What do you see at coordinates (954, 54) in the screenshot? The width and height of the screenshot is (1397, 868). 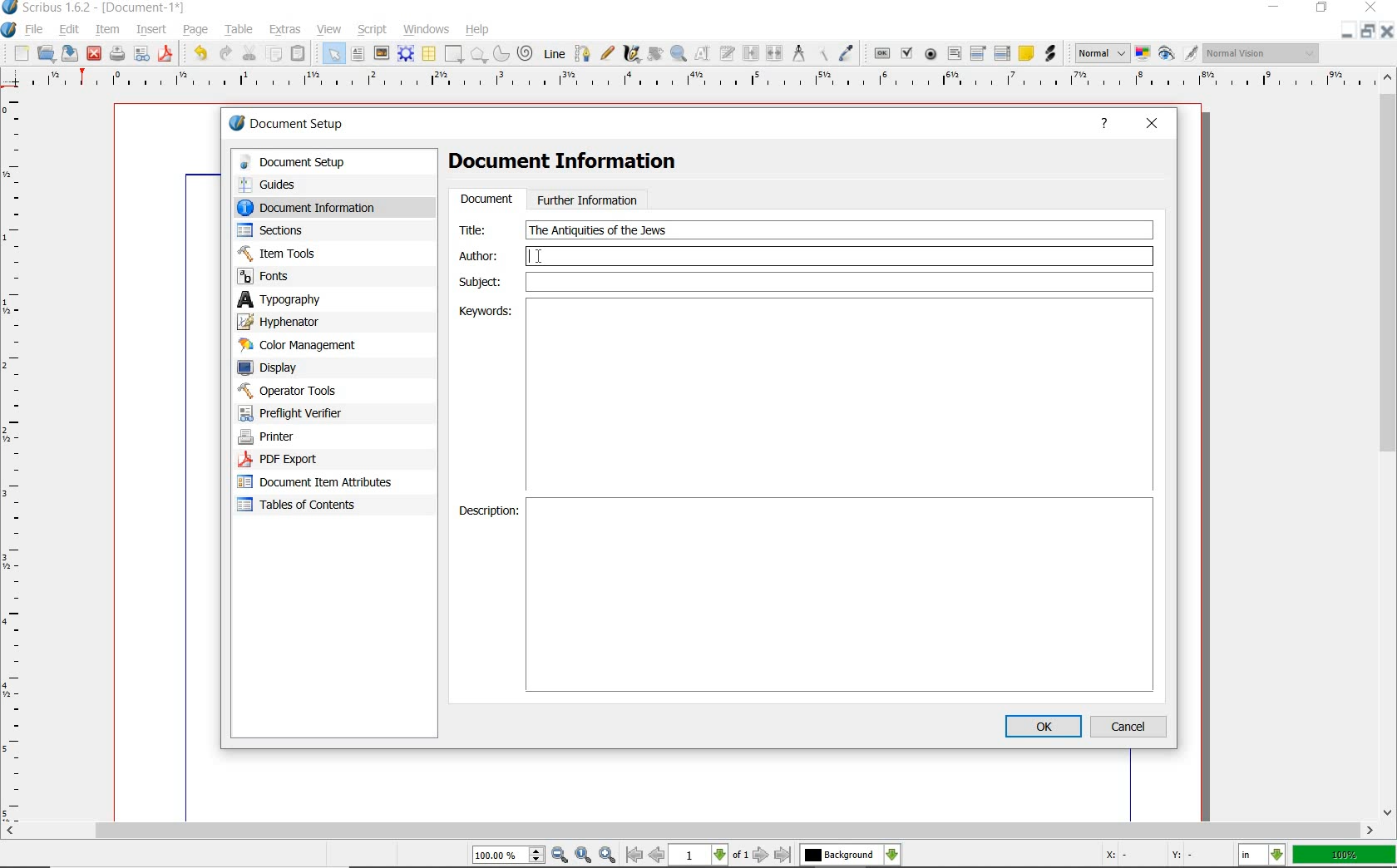 I see `pdf text field` at bounding box center [954, 54].